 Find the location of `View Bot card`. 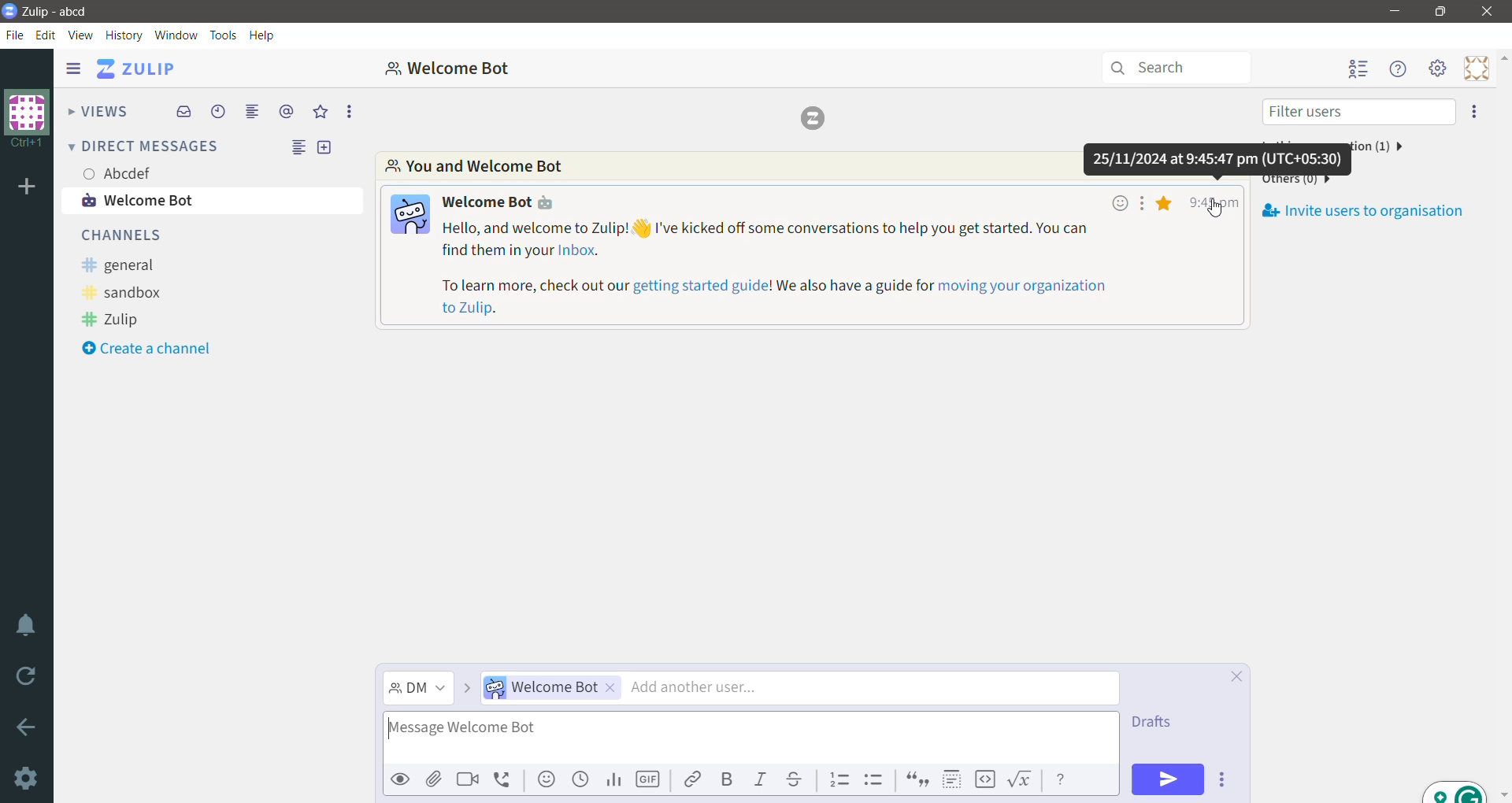

View Bot card is located at coordinates (503, 201).